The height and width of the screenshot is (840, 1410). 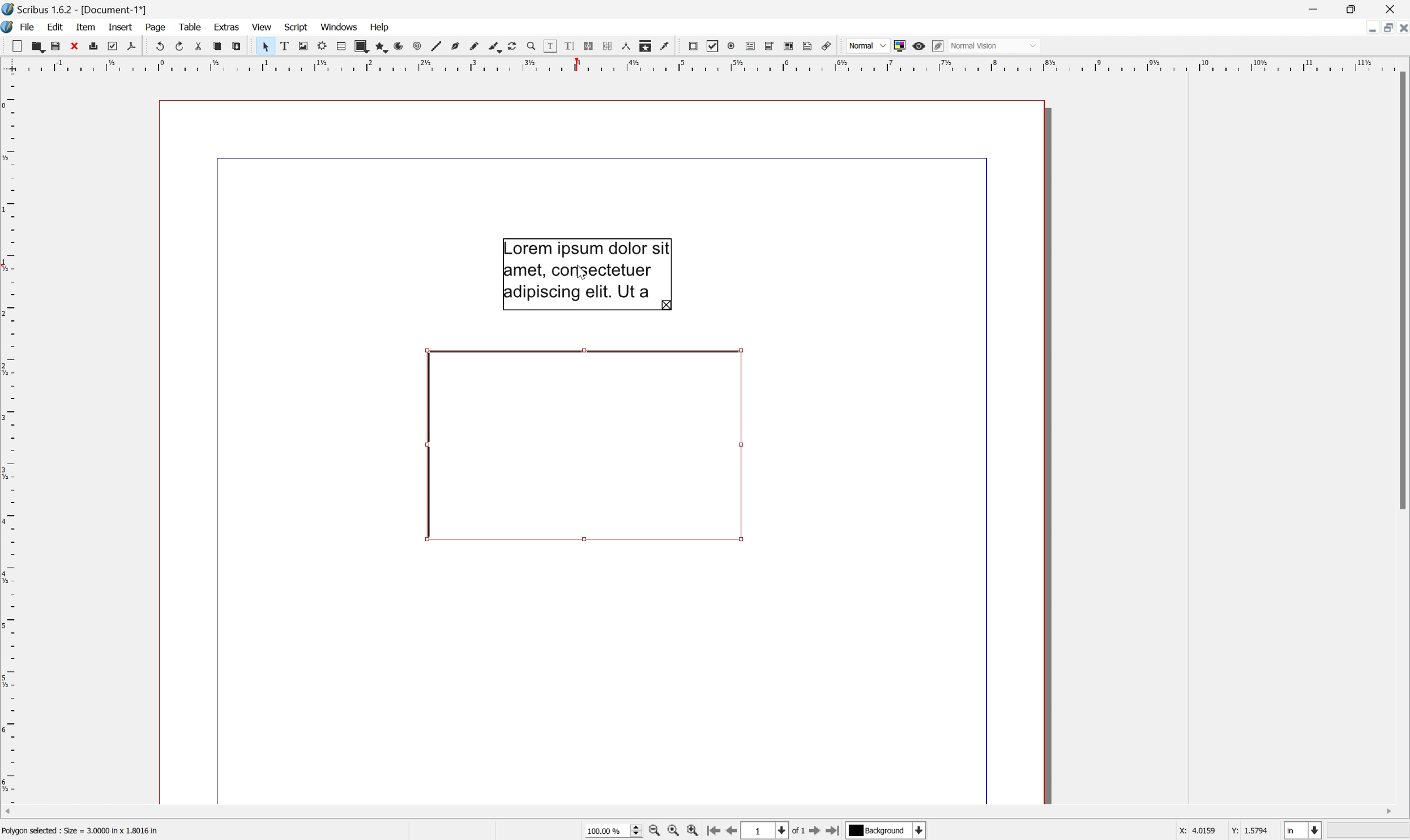 I want to click on Cursor, so click(x=587, y=276).